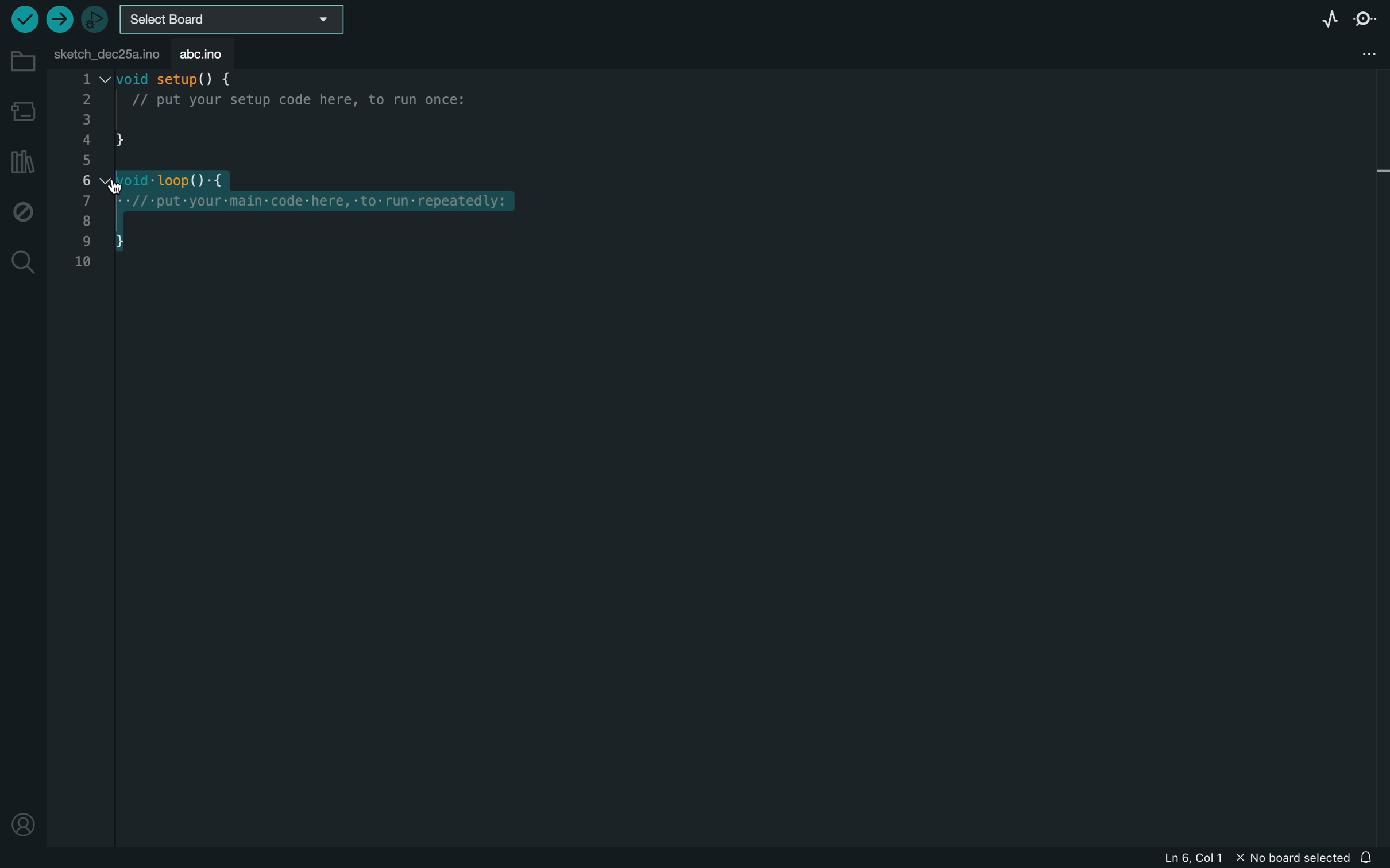  What do you see at coordinates (201, 52) in the screenshot?
I see `abc ` at bounding box center [201, 52].